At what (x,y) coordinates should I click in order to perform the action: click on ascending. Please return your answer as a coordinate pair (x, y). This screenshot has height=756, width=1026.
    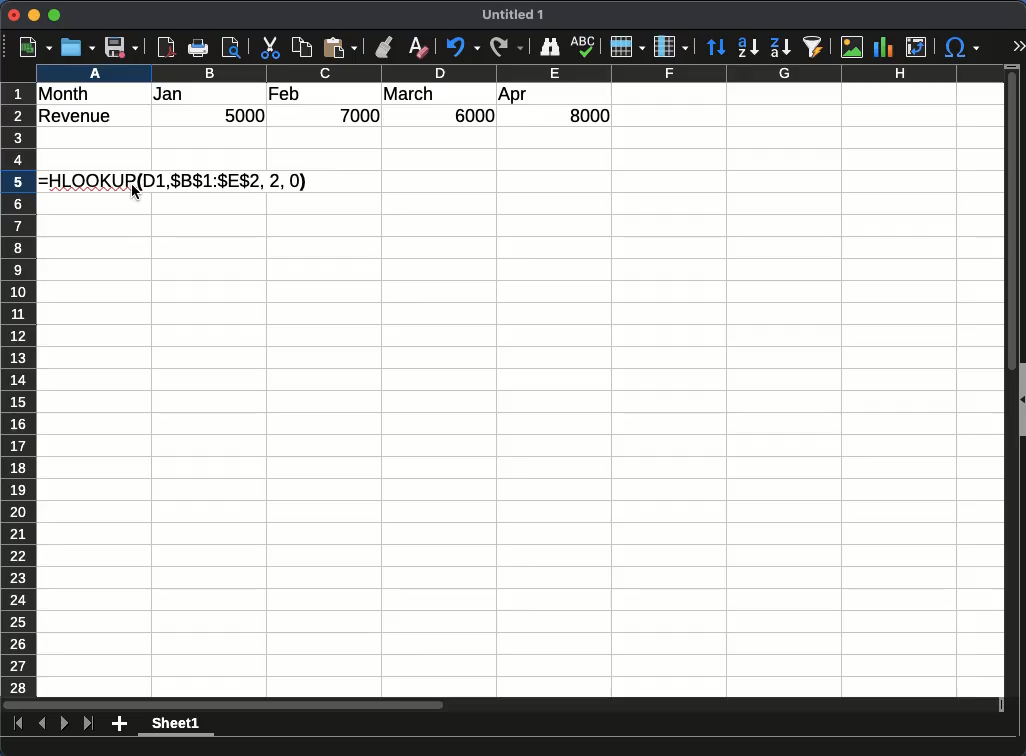
    Looking at the image, I should click on (746, 48).